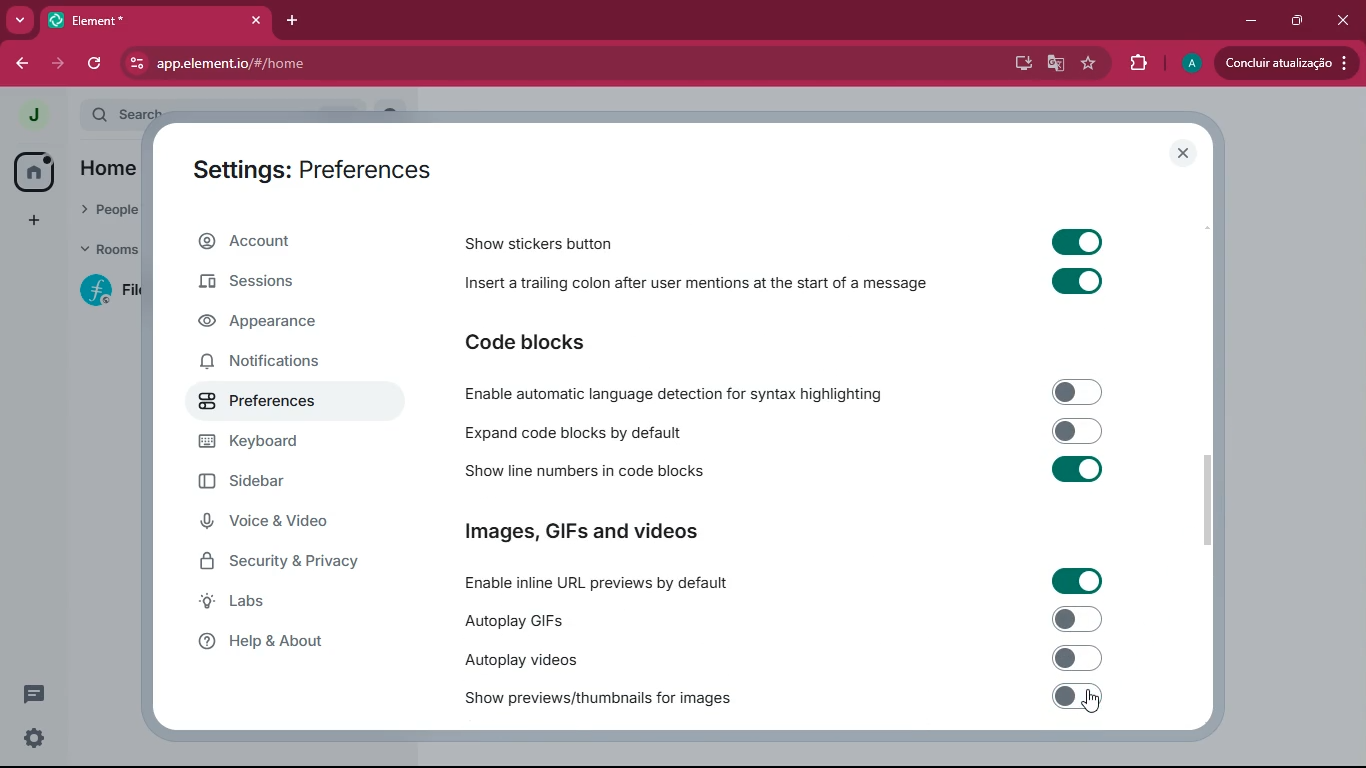 This screenshot has width=1366, height=768. Describe the element at coordinates (20, 63) in the screenshot. I see `back` at that location.